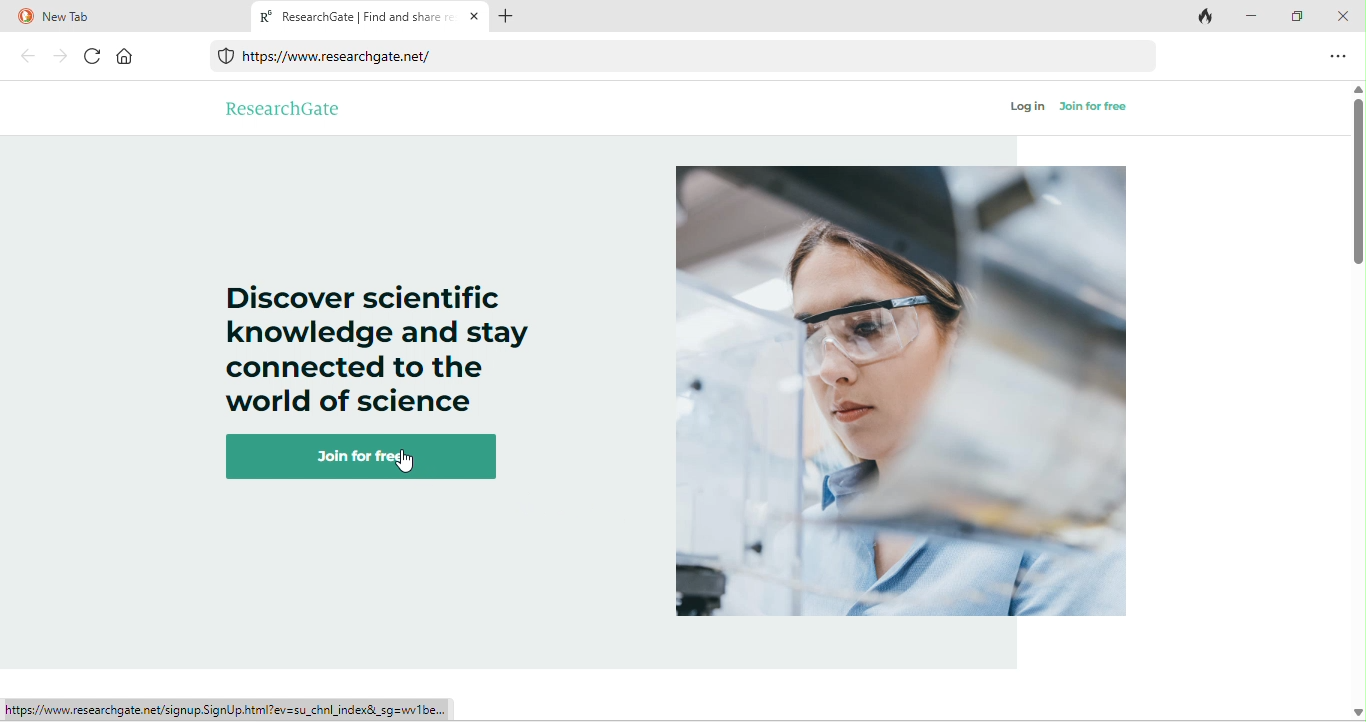 This screenshot has width=1366, height=722. What do you see at coordinates (903, 394) in the screenshot?
I see `image` at bounding box center [903, 394].